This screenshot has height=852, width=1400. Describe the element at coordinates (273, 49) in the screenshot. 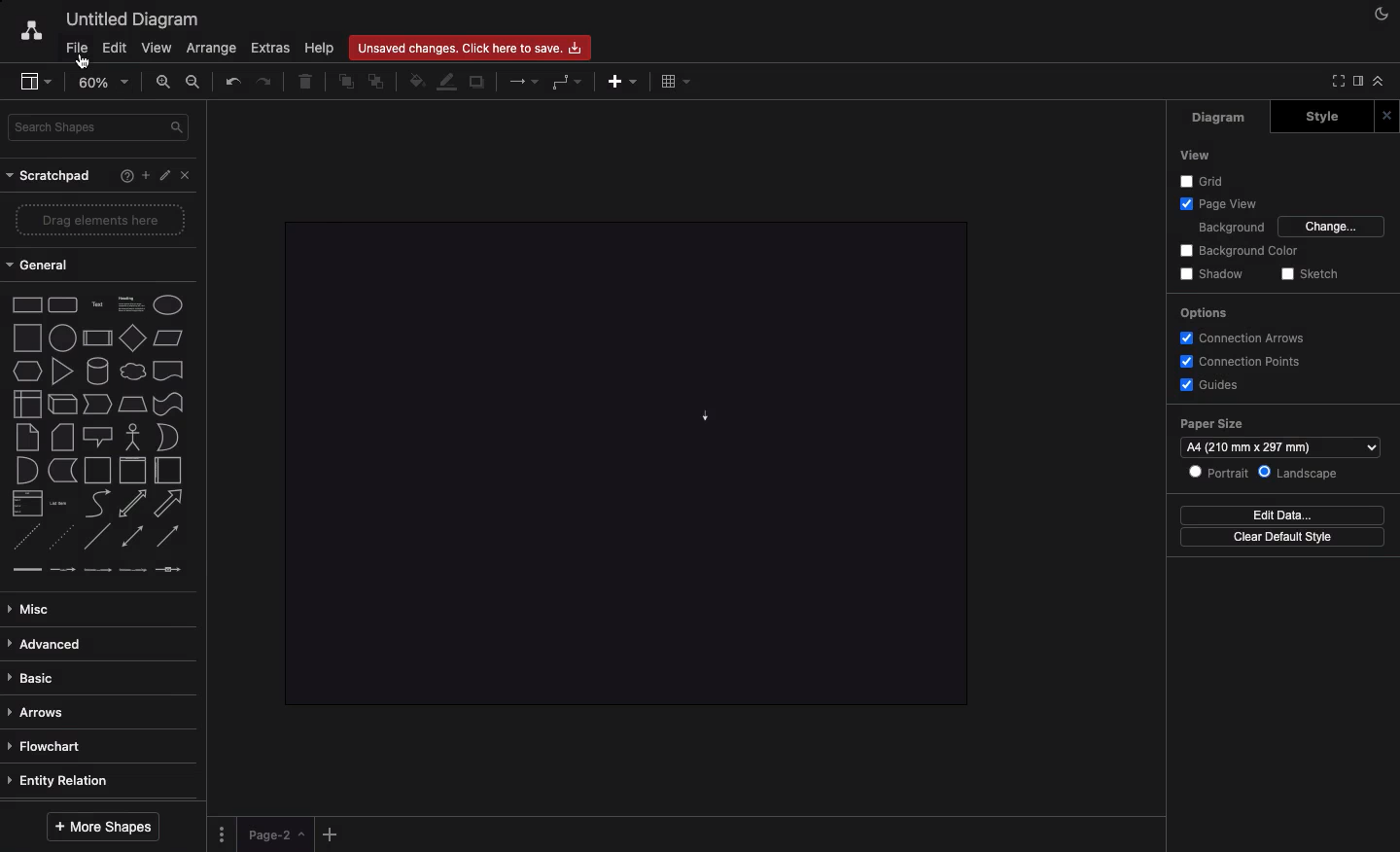

I see `Extras` at that location.